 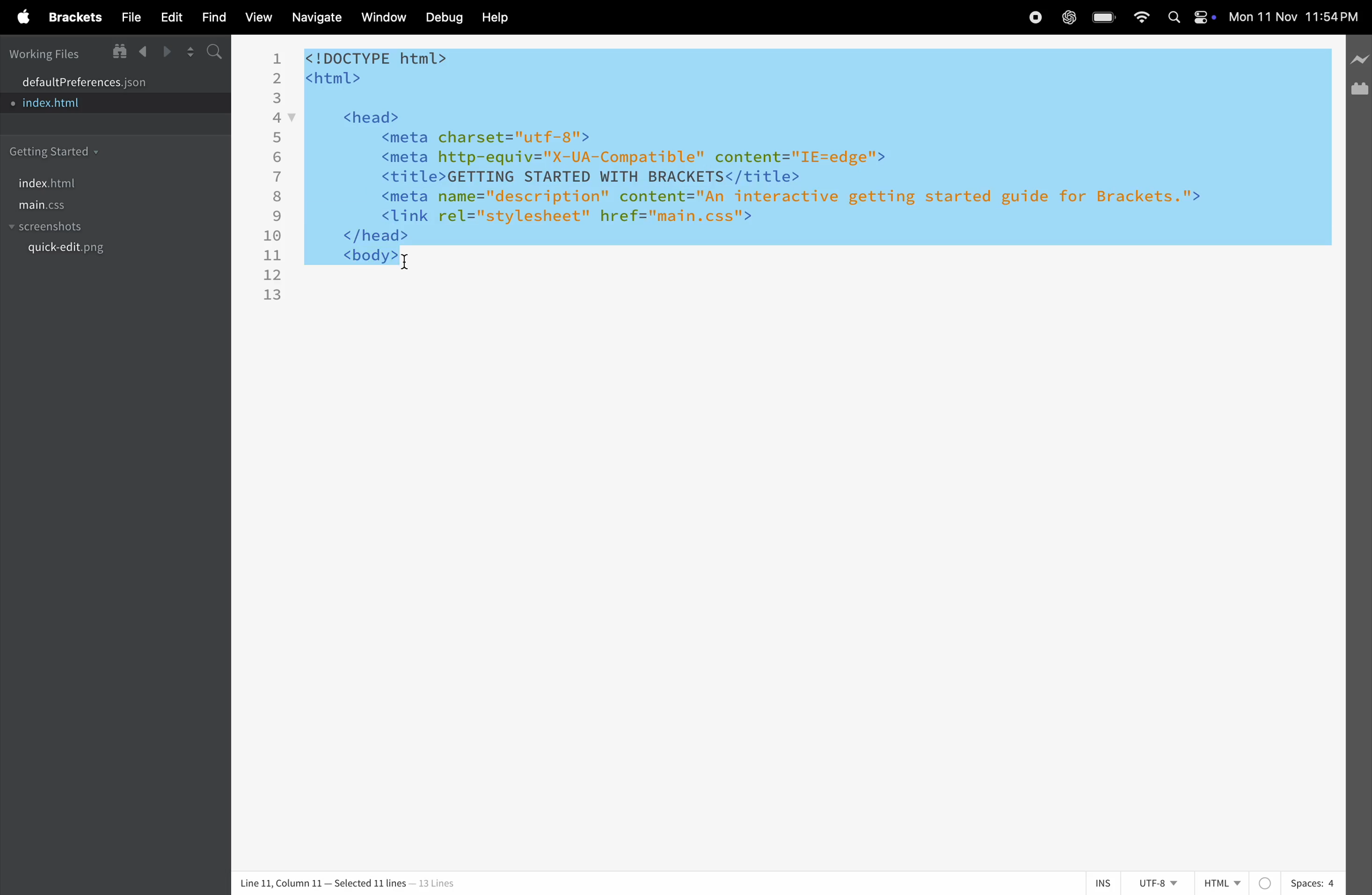 What do you see at coordinates (1107, 17) in the screenshot?
I see `battery` at bounding box center [1107, 17].